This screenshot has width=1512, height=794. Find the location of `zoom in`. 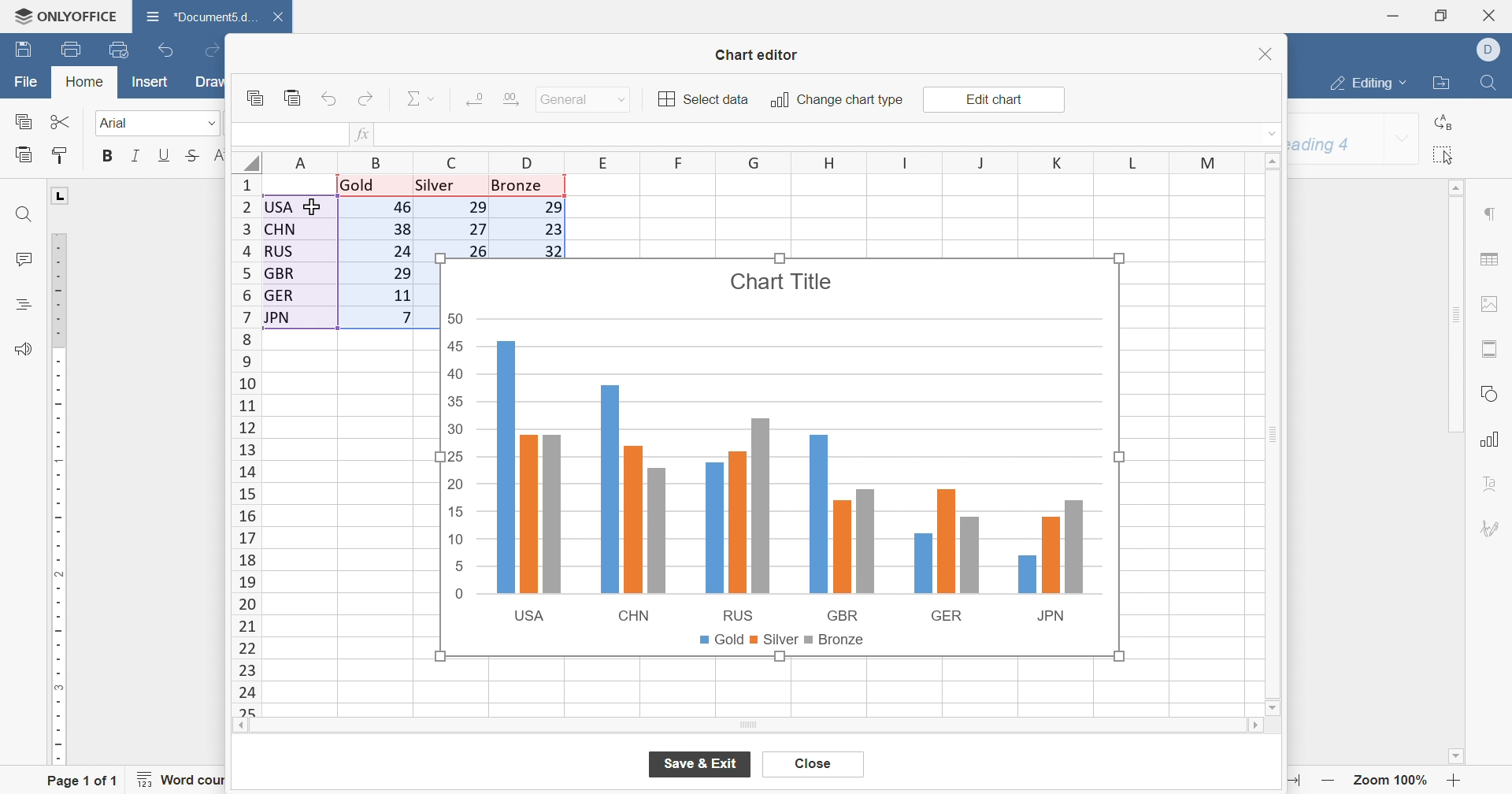

zoom in is located at coordinates (1455, 781).